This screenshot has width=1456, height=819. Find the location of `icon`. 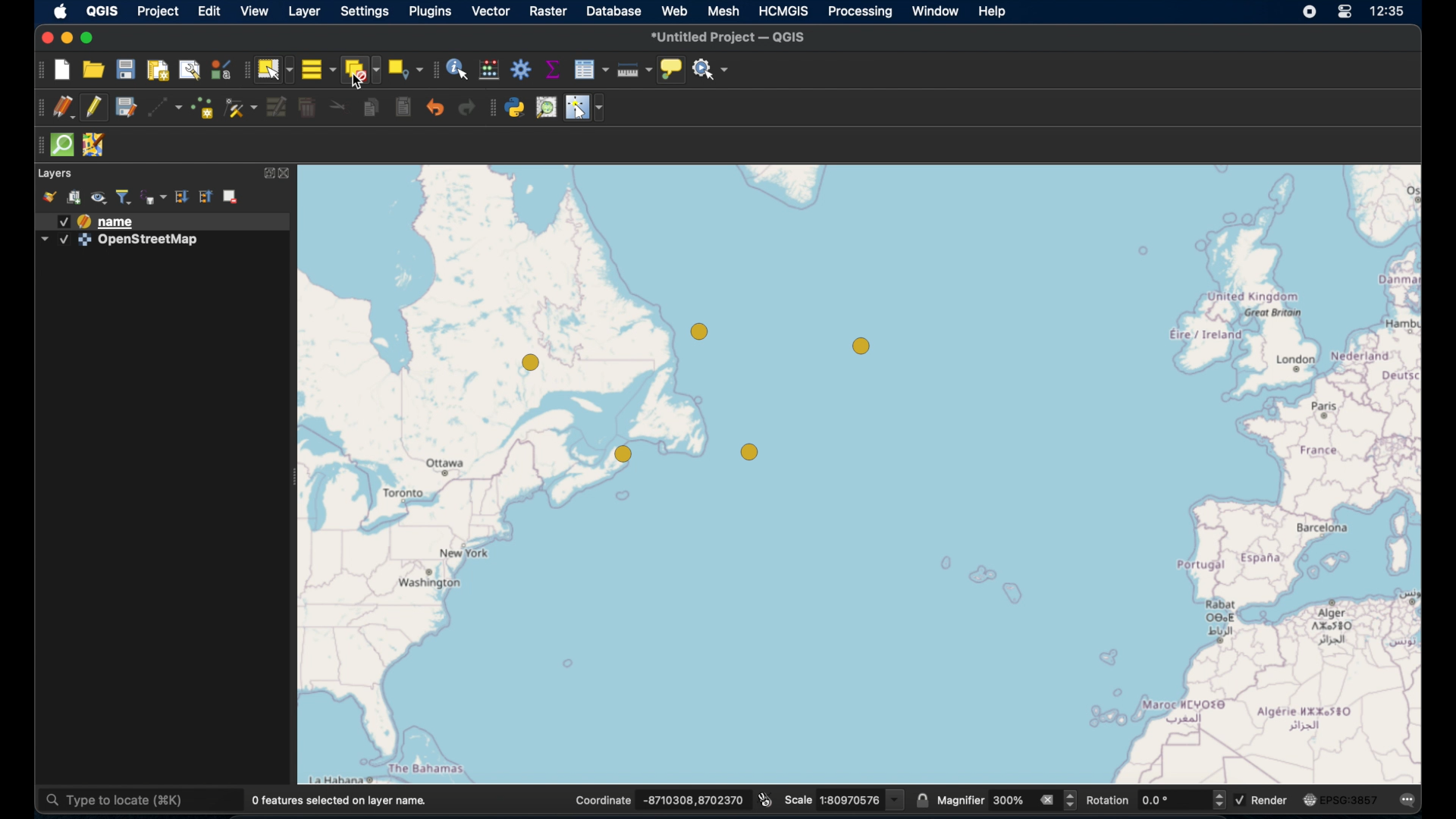

icon is located at coordinates (84, 221).